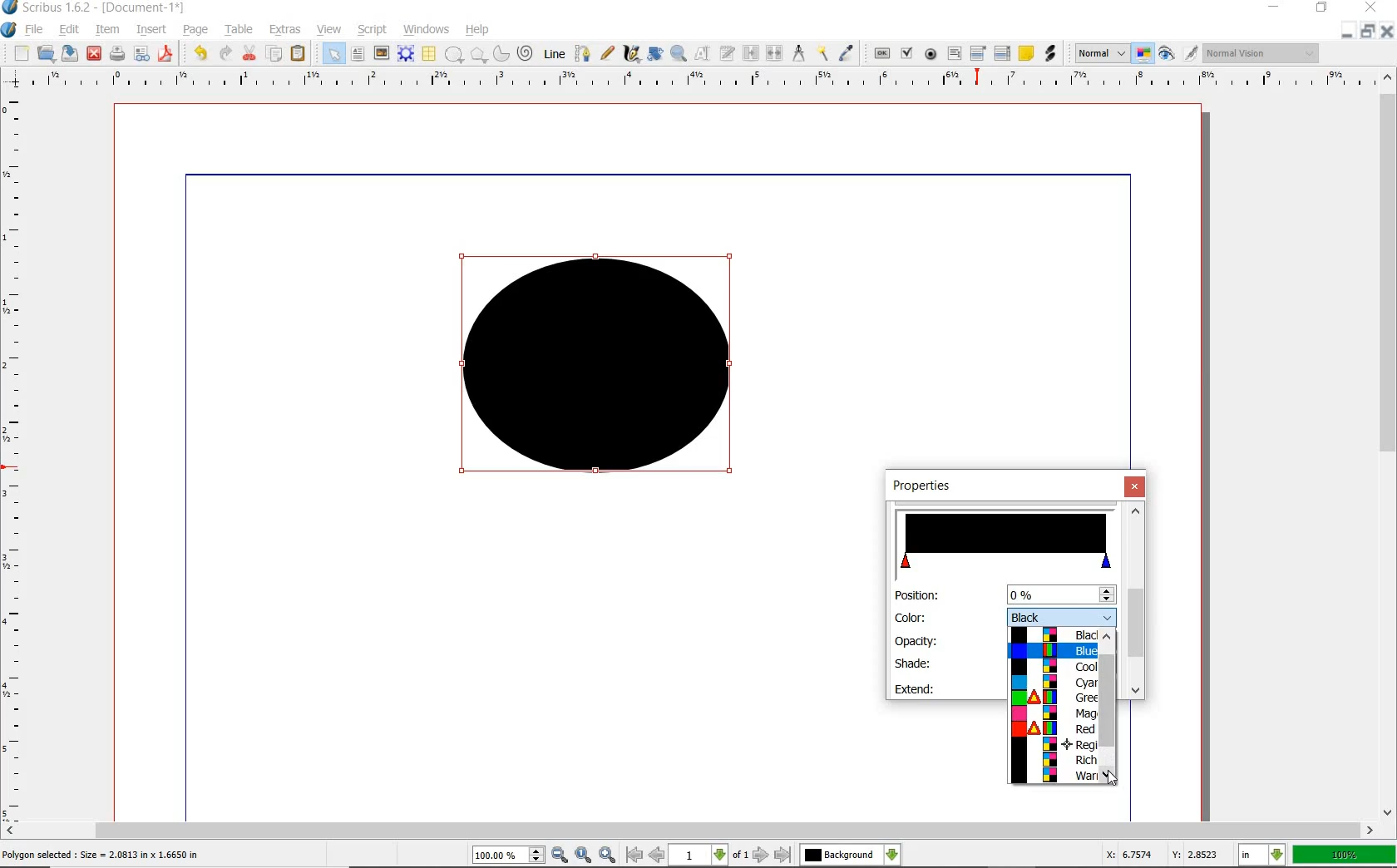 The width and height of the screenshot is (1397, 868). What do you see at coordinates (1190, 52) in the screenshot?
I see `EDIT IN PREVIEW MODE` at bounding box center [1190, 52].